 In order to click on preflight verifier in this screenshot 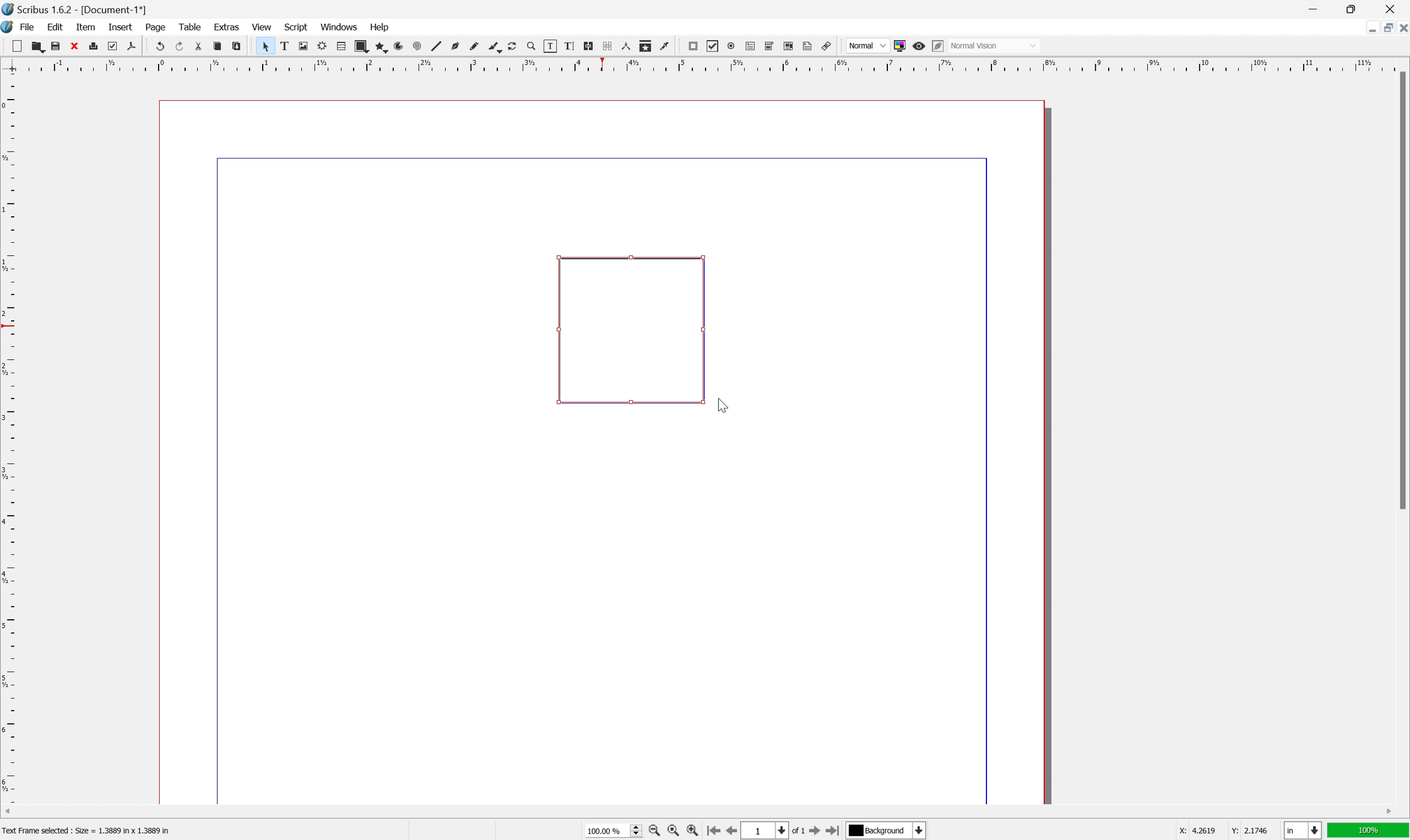, I will do `click(113, 46)`.